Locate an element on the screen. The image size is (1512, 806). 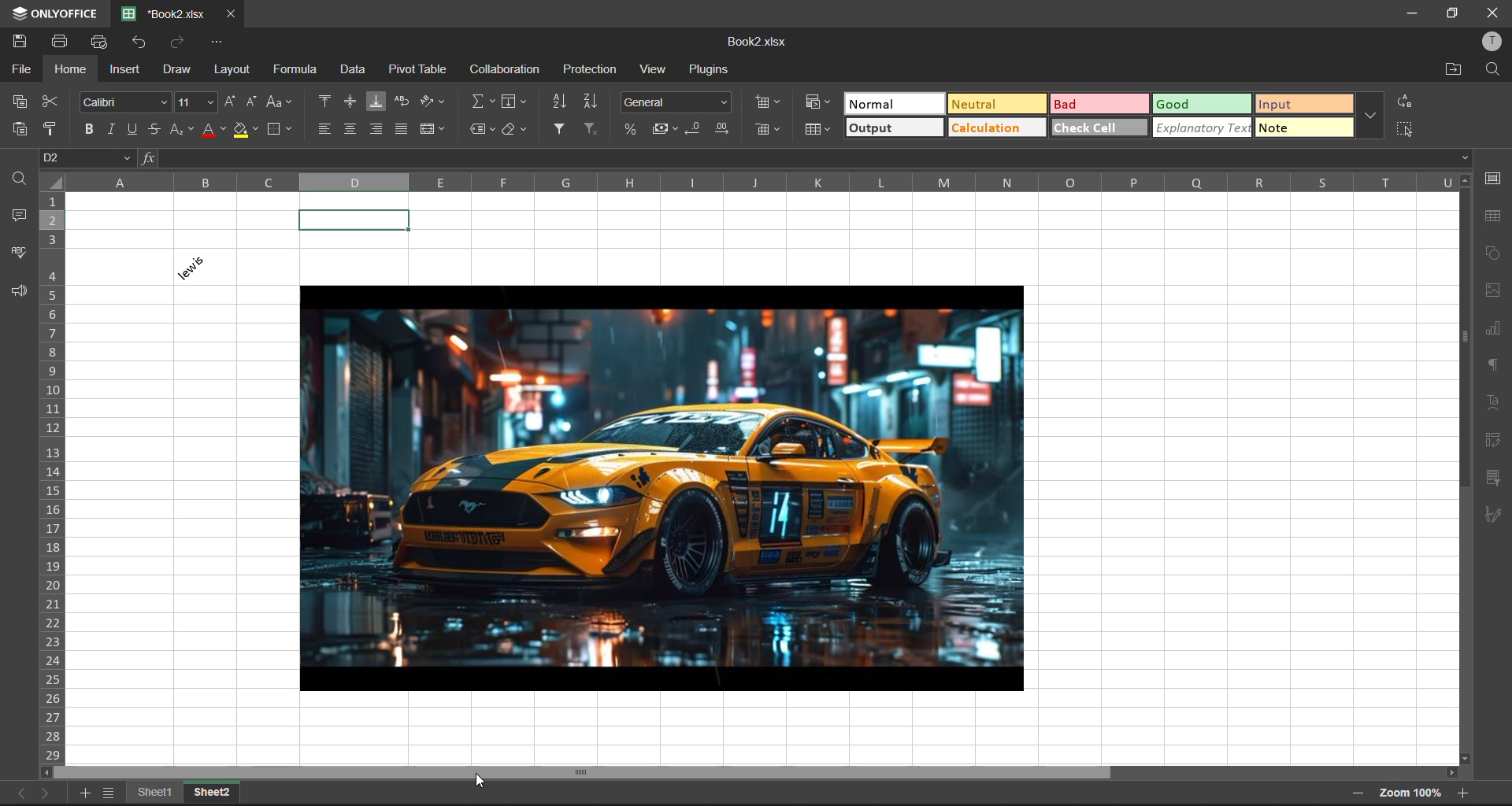
insert cells is located at coordinates (768, 102).